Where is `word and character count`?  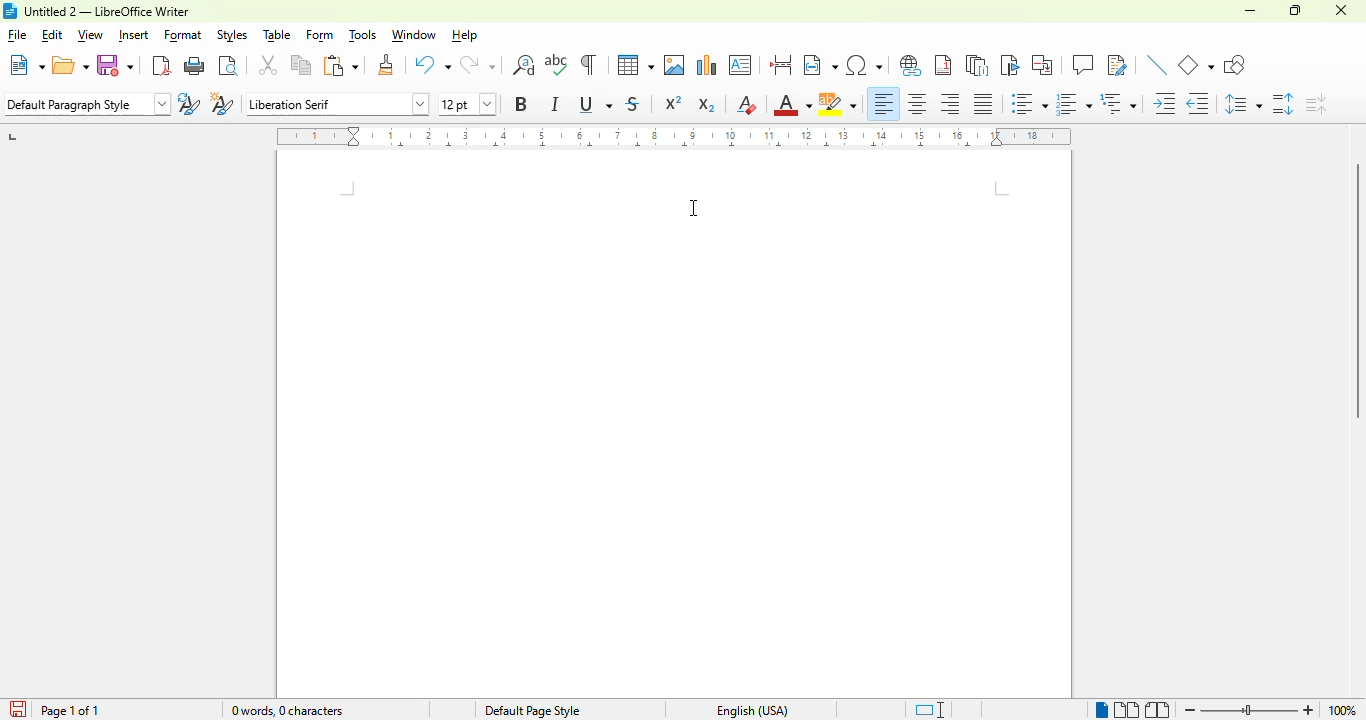
word and character count is located at coordinates (288, 710).